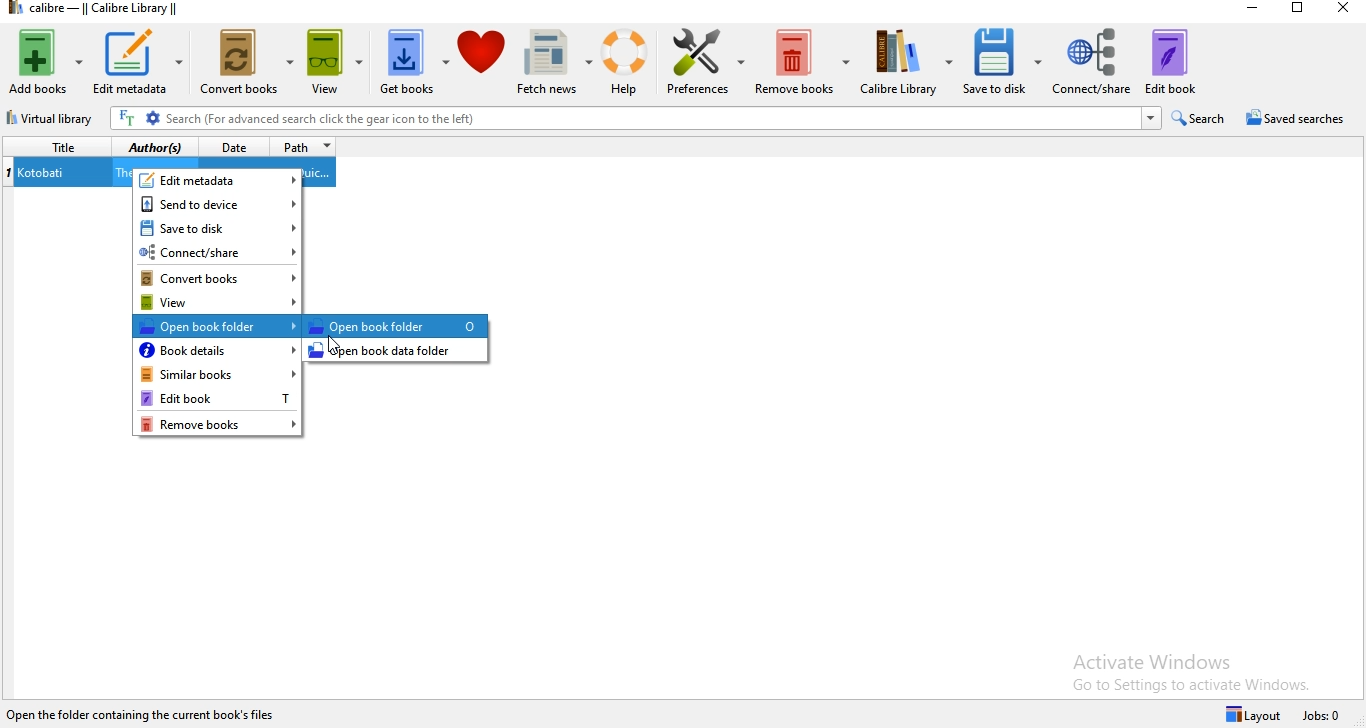 Image resolution: width=1366 pixels, height=728 pixels. I want to click on send to device, so click(220, 204).